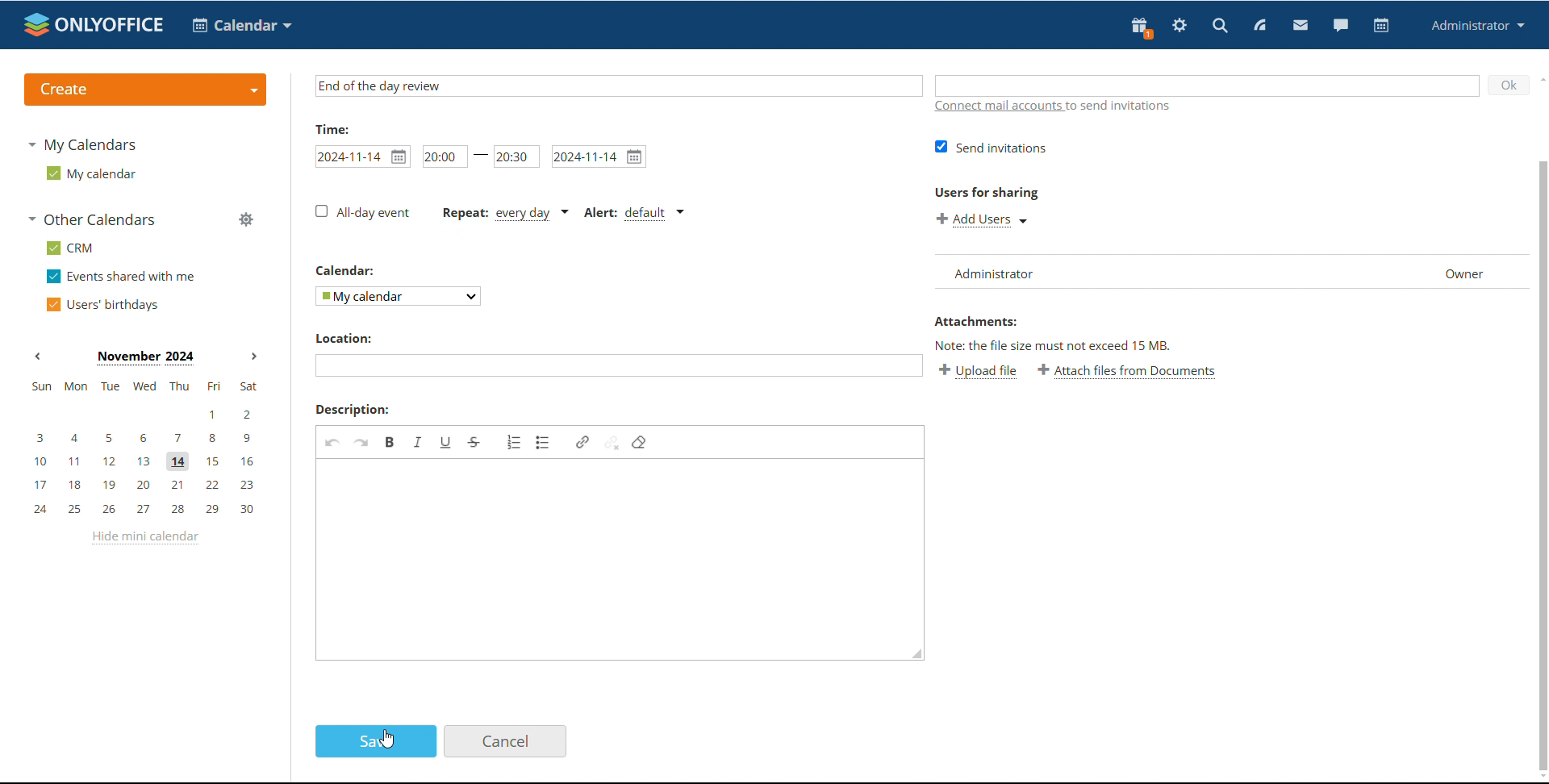 This screenshot has width=1549, height=784. I want to click on Remove format, so click(641, 443).